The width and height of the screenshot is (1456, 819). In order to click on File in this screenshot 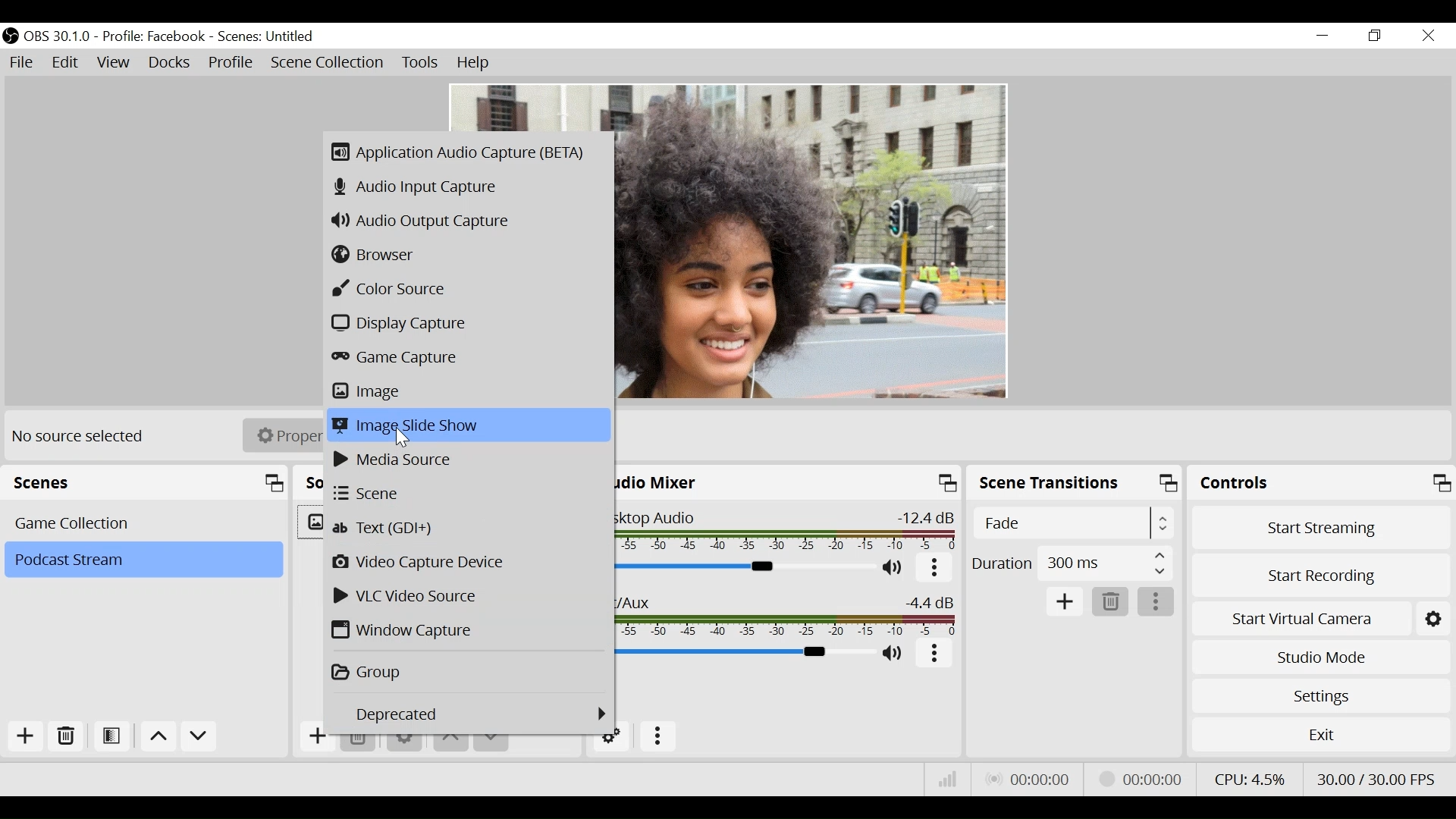, I will do `click(24, 63)`.